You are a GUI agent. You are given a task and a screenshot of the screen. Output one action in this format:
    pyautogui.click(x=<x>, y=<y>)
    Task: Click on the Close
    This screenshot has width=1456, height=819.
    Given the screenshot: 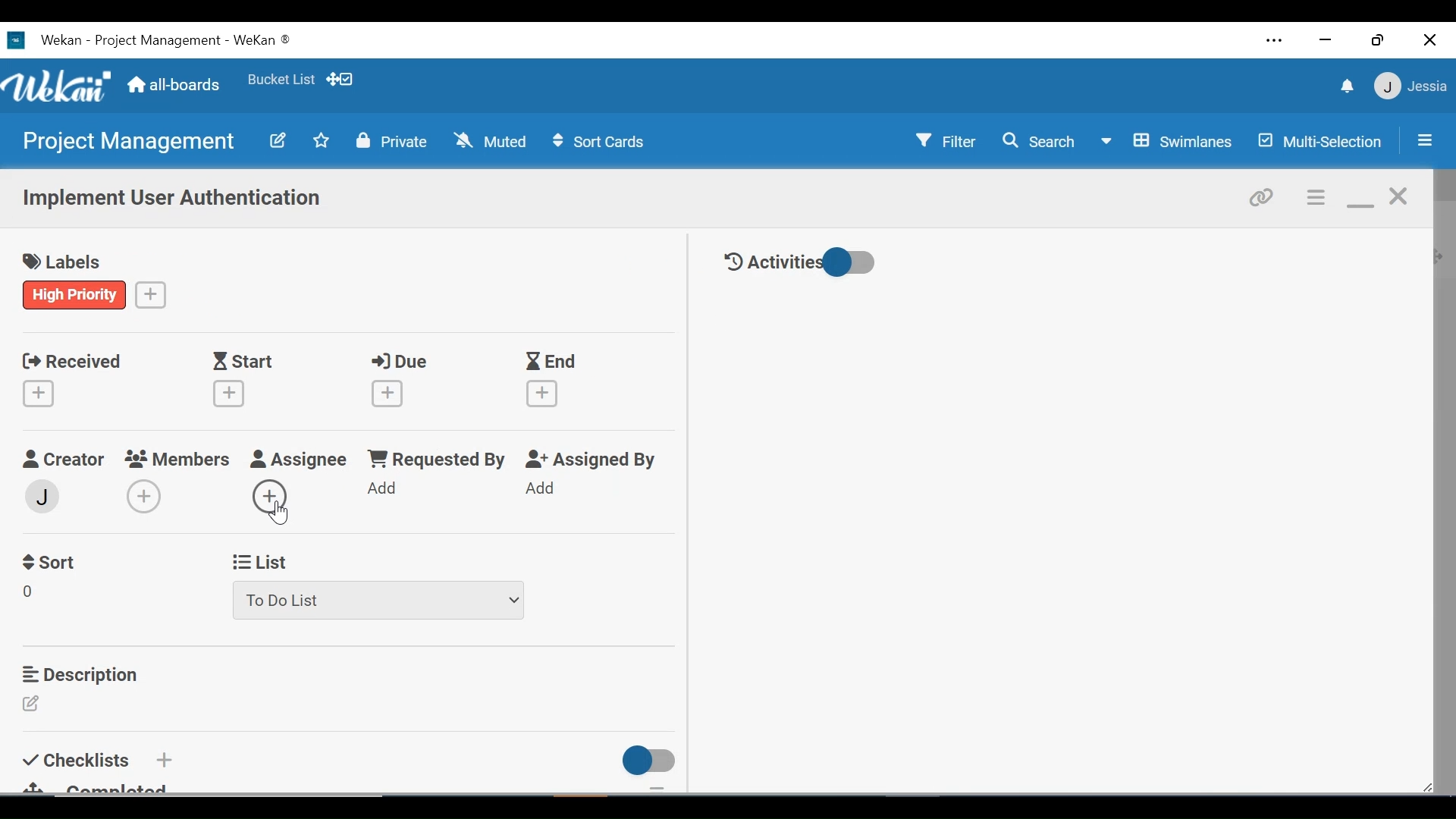 What is the action you would take?
    pyautogui.click(x=1431, y=39)
    